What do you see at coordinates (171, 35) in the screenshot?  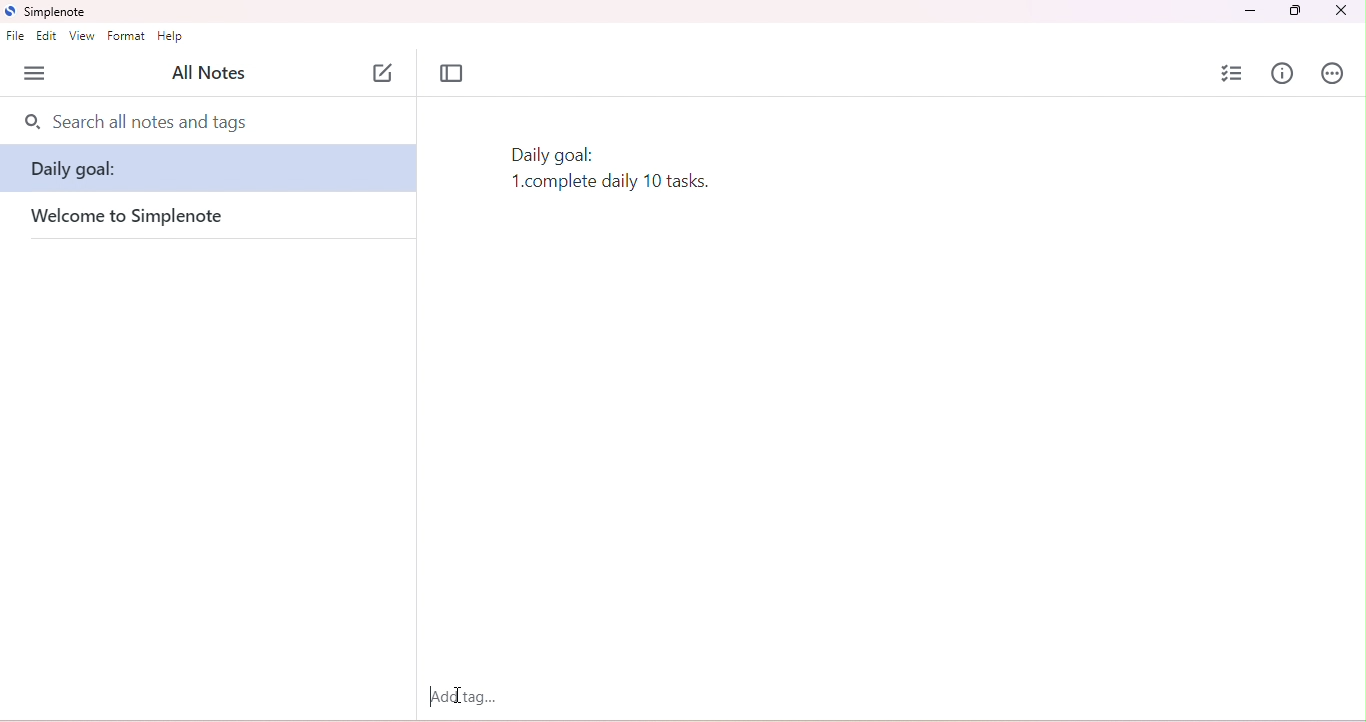 I see `help` at bounding box center [171, 35].